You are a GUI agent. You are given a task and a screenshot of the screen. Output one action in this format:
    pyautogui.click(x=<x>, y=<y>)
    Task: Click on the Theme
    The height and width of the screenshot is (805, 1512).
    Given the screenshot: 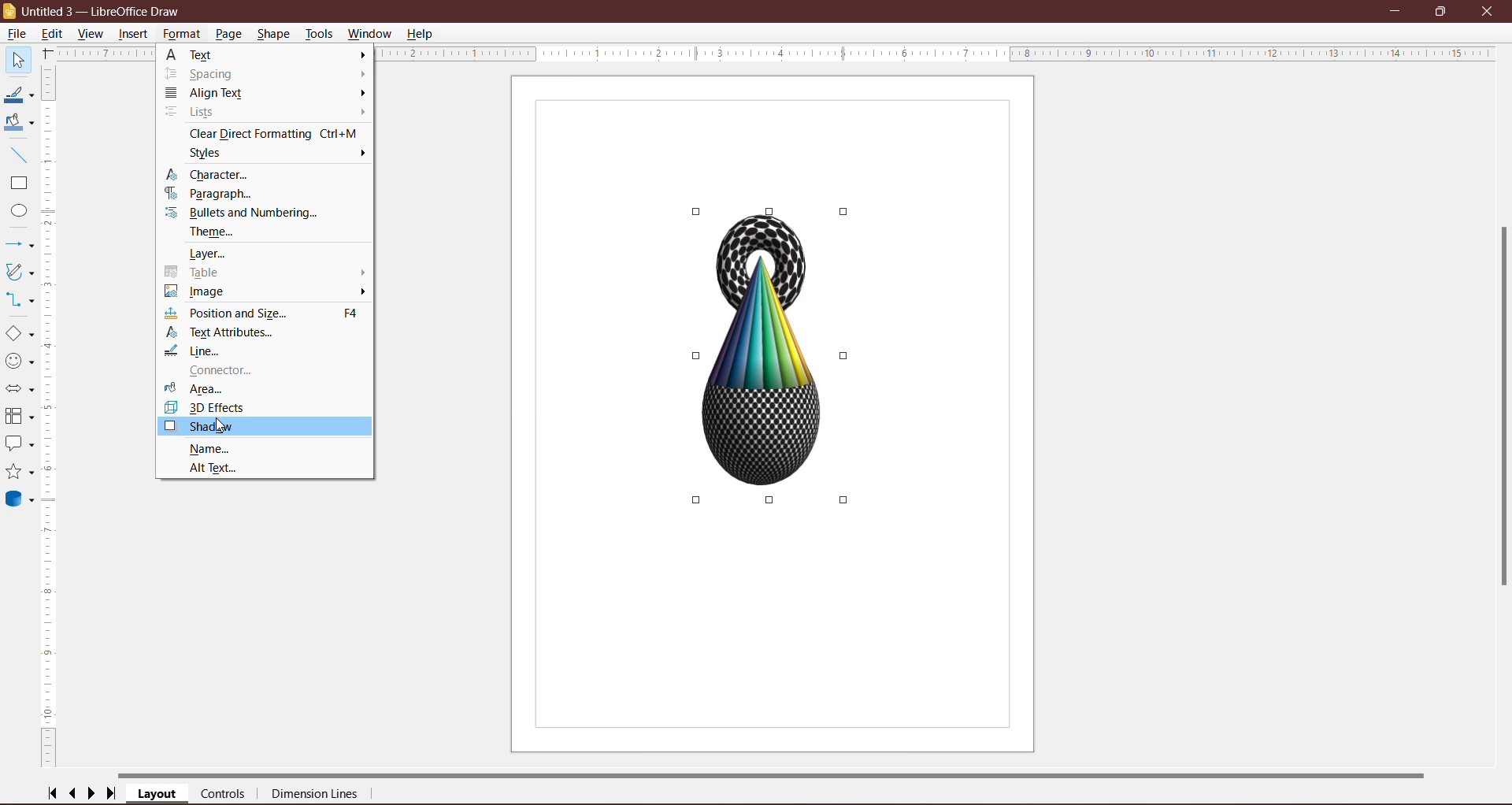 What is the action you would take?
    pyautogui.click(x=217, y=233)
    